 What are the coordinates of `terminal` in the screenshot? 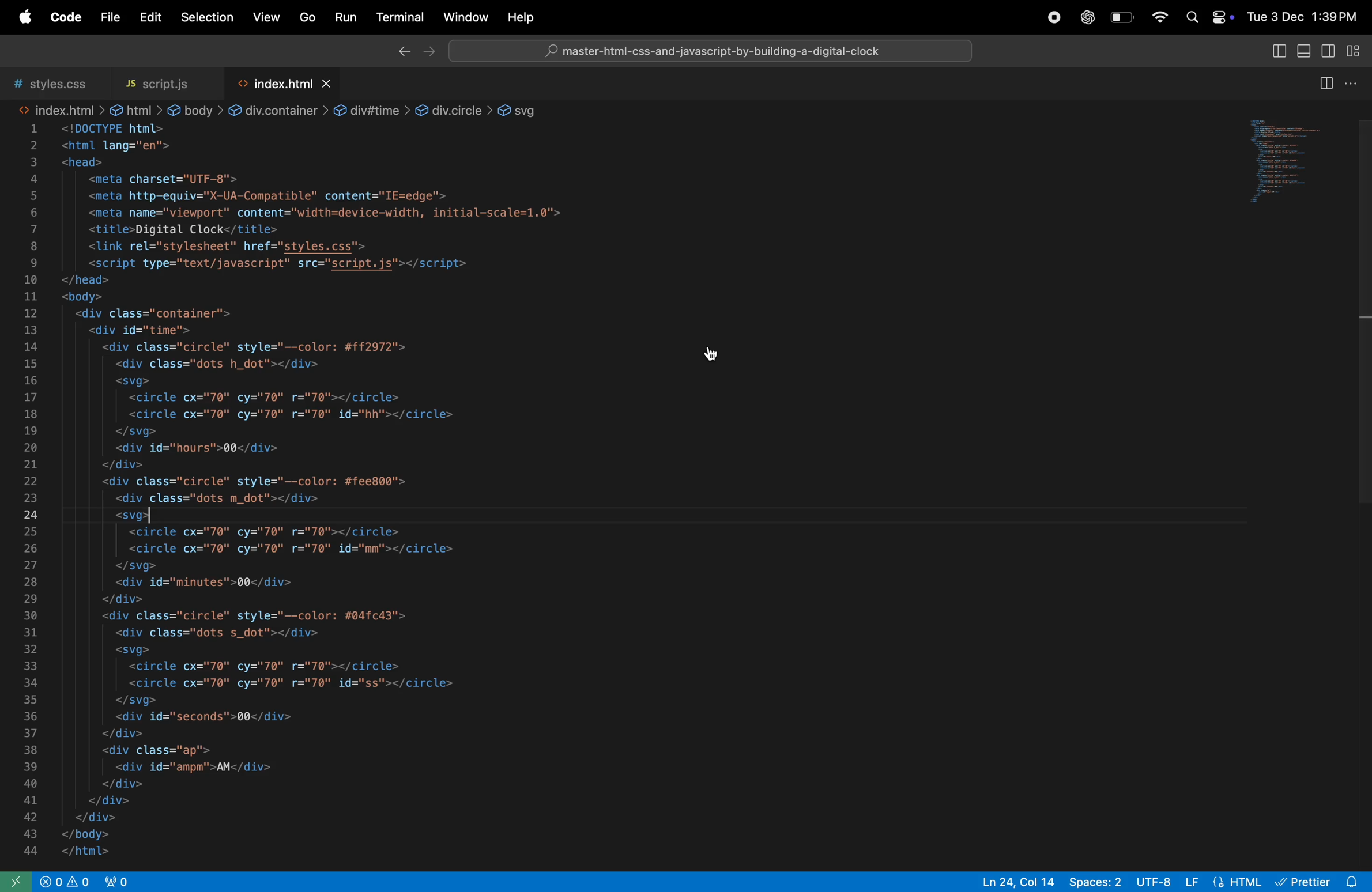 It's located at (398, 17).